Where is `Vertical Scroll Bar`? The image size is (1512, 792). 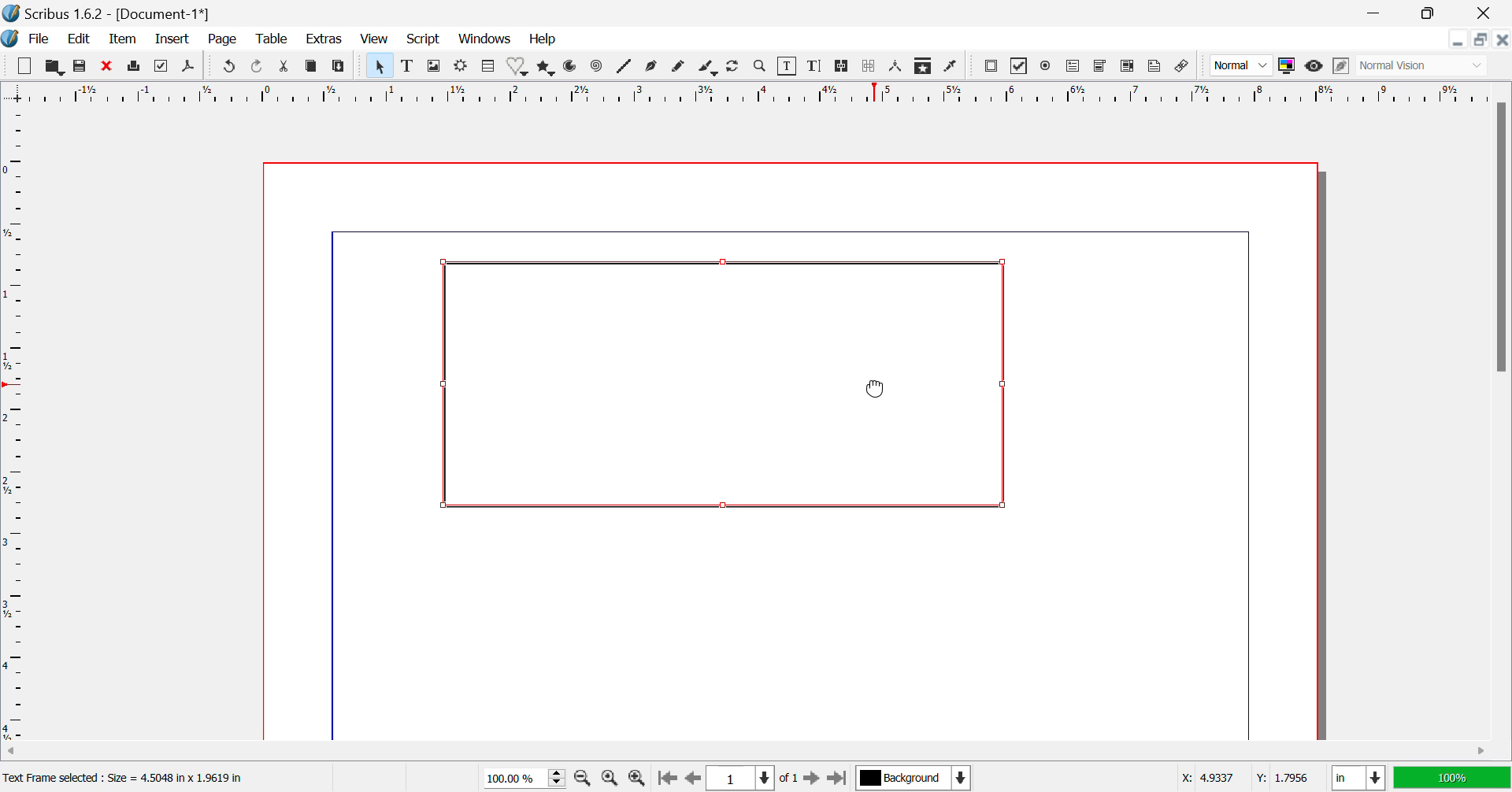 Vertical Scroll Bar is located at coordinates (1499, 418).